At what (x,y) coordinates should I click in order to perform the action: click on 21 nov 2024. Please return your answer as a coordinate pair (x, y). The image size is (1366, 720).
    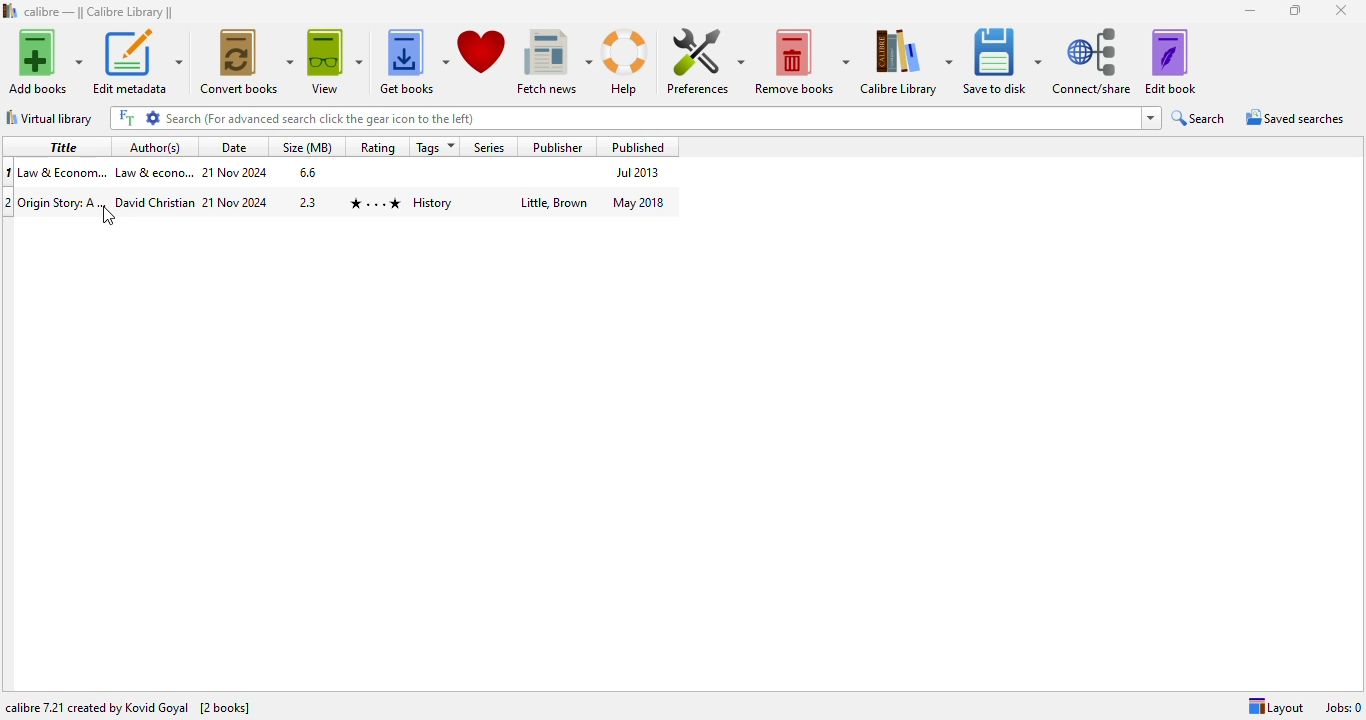
    Looking at the image, I should click on (236, 201).